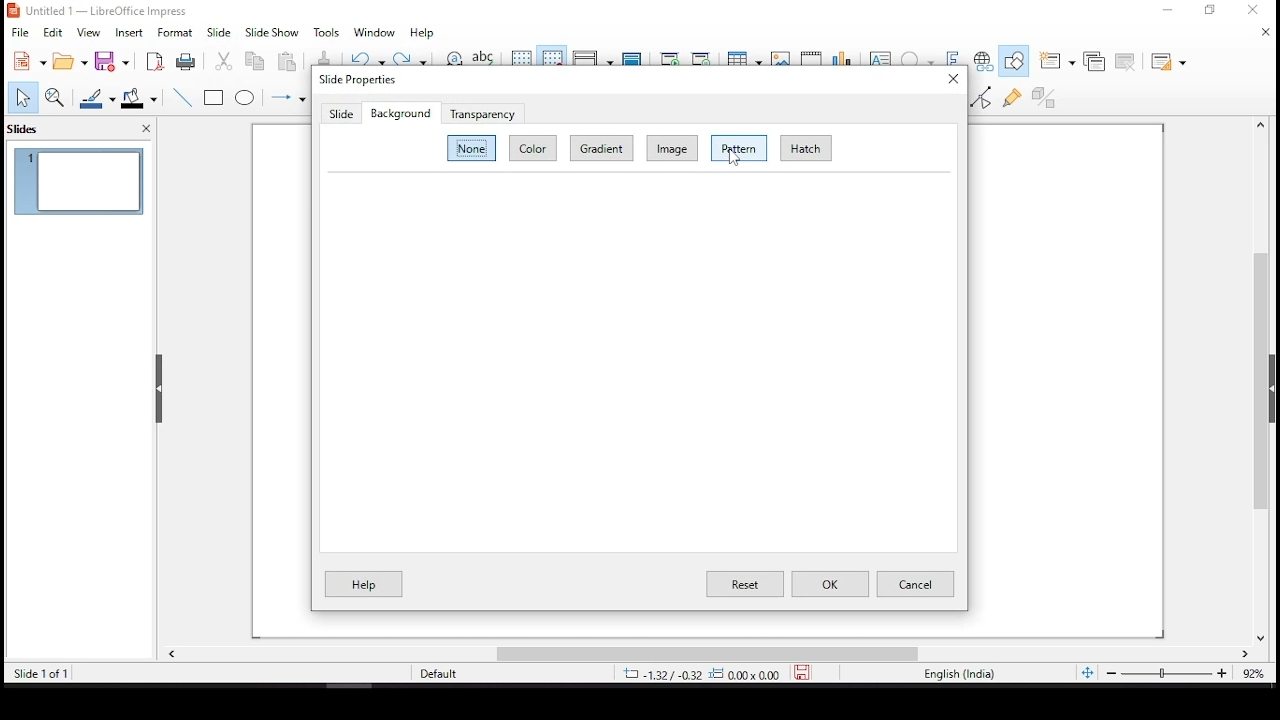  What do you see at coordinates (1165, 673) in the screenshot?
I see `zoom slider` at bounding box center [1165, 673].